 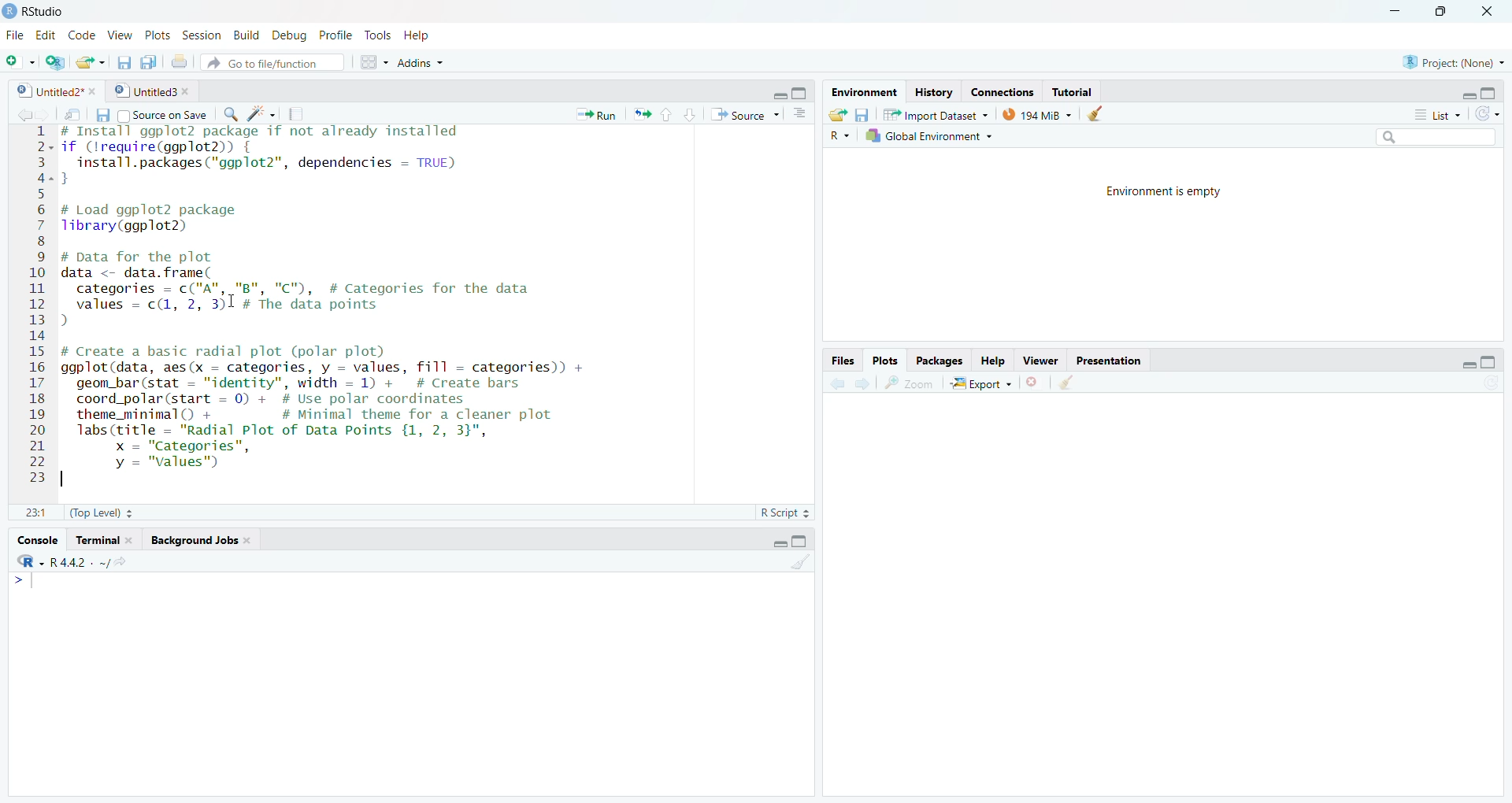 What do you see at coordinates (16, 36) in the screenshot?
I see `File` at bounding box center [16, 36].